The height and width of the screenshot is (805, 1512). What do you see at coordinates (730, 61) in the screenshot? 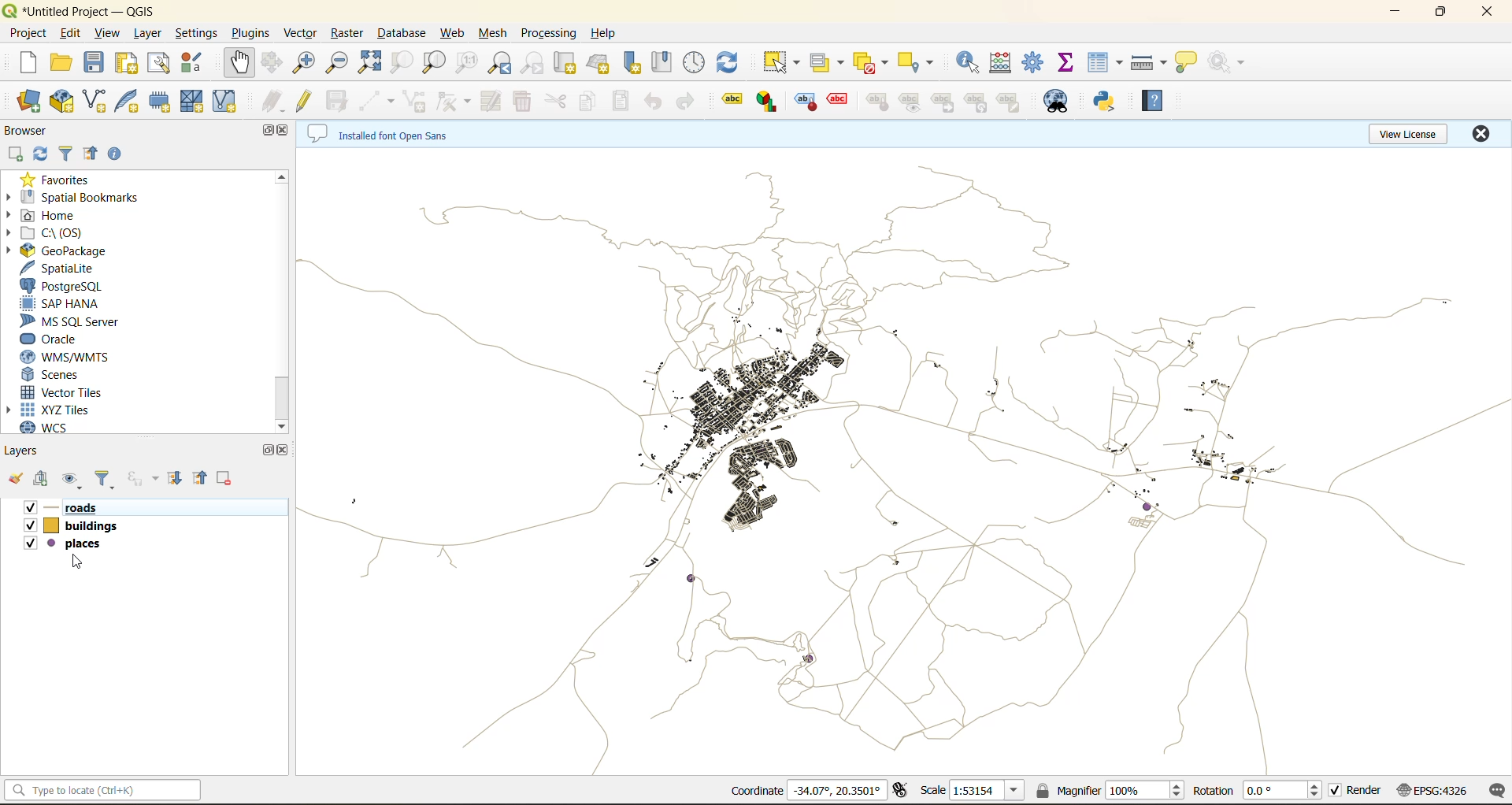
I see `refresh` at bounding box center [730, 61].